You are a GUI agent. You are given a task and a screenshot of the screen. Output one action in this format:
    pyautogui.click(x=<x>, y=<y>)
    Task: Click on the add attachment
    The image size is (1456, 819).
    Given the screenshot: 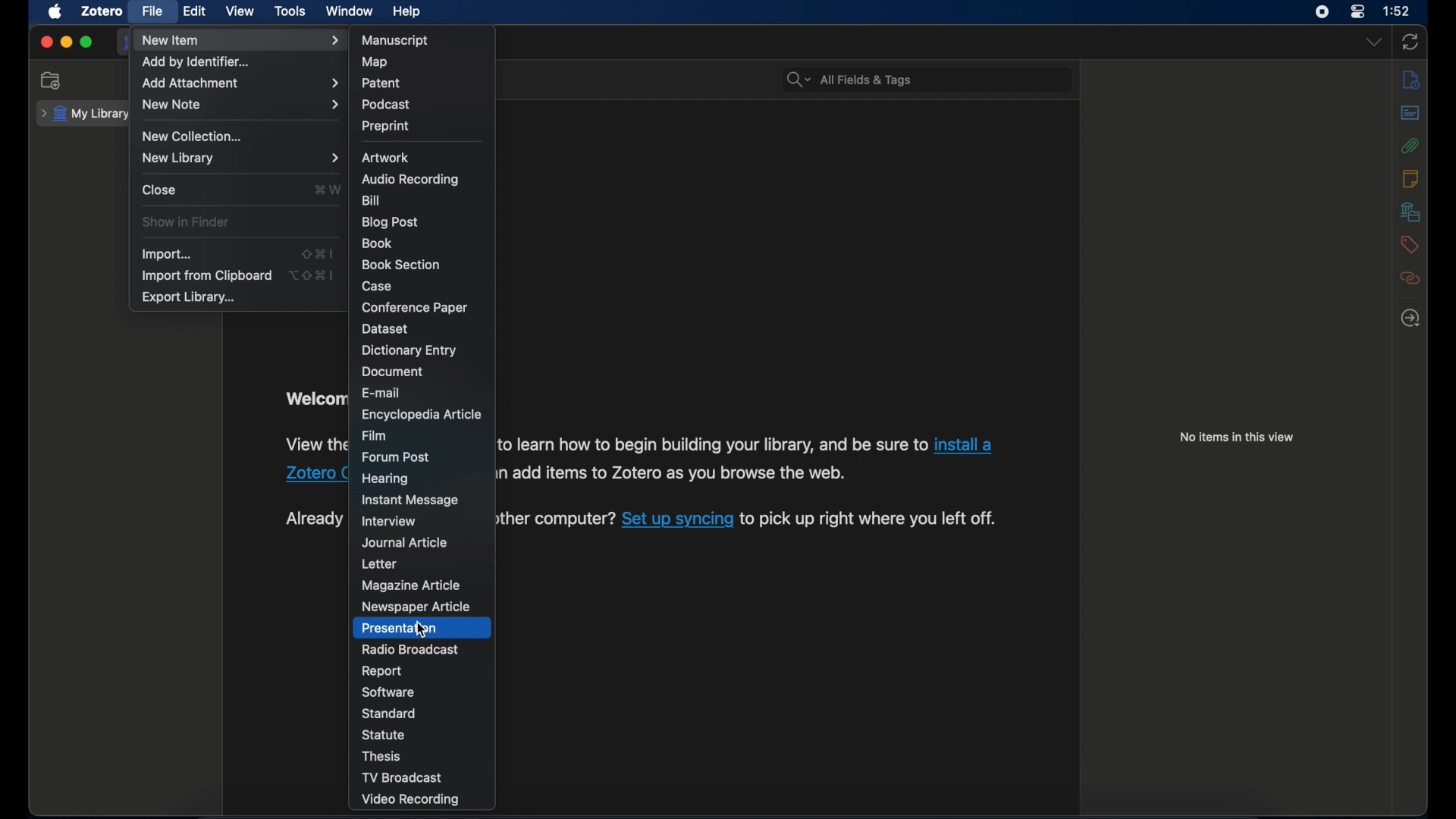 What is the action you would take?
    pyautogui.click(x=240, y=83)
    